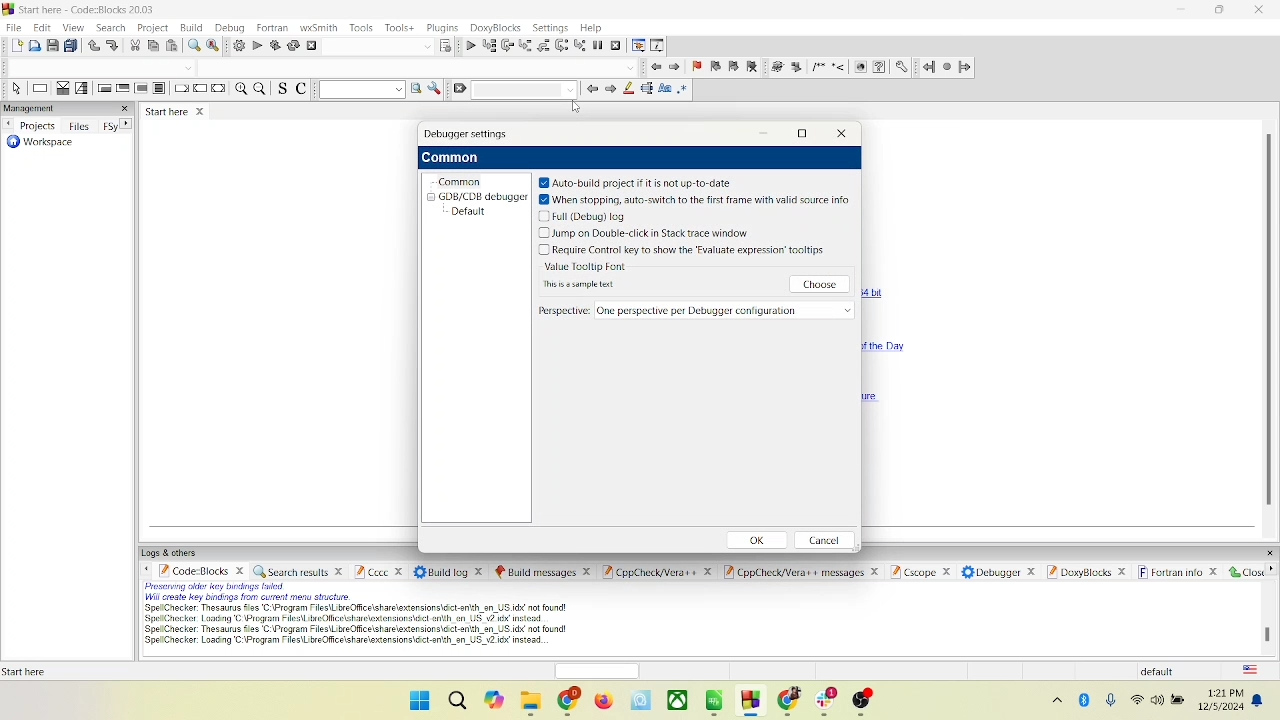 The width and height of the screenshot is (1280, 720). What do you see at coordinates (824, 539) in the screenshot?
I see `cancel` at bounding box center [824, 539].